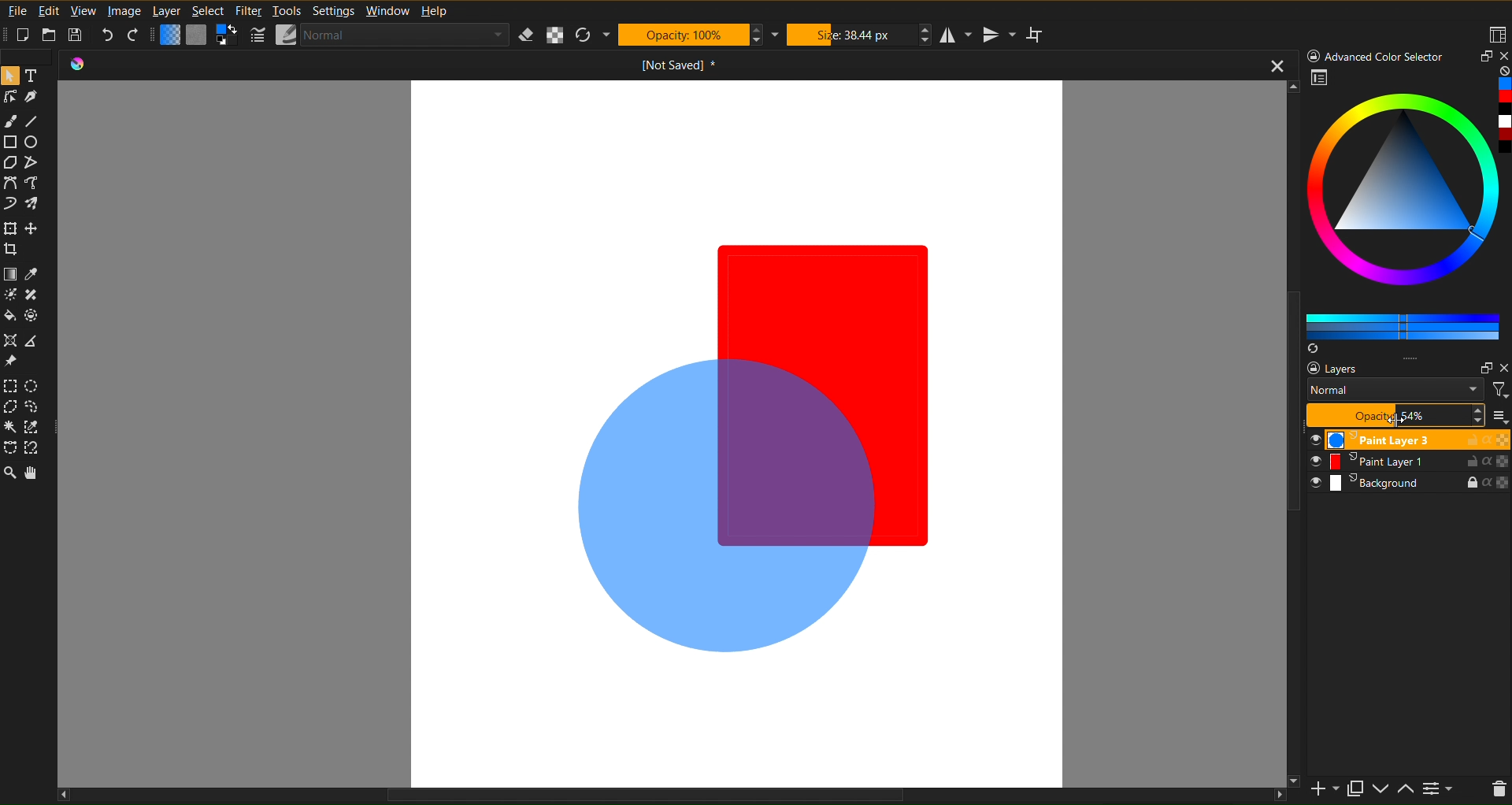  Describe the element at coordinates (1503, 57) in the screenshot. I see `close` at that location.